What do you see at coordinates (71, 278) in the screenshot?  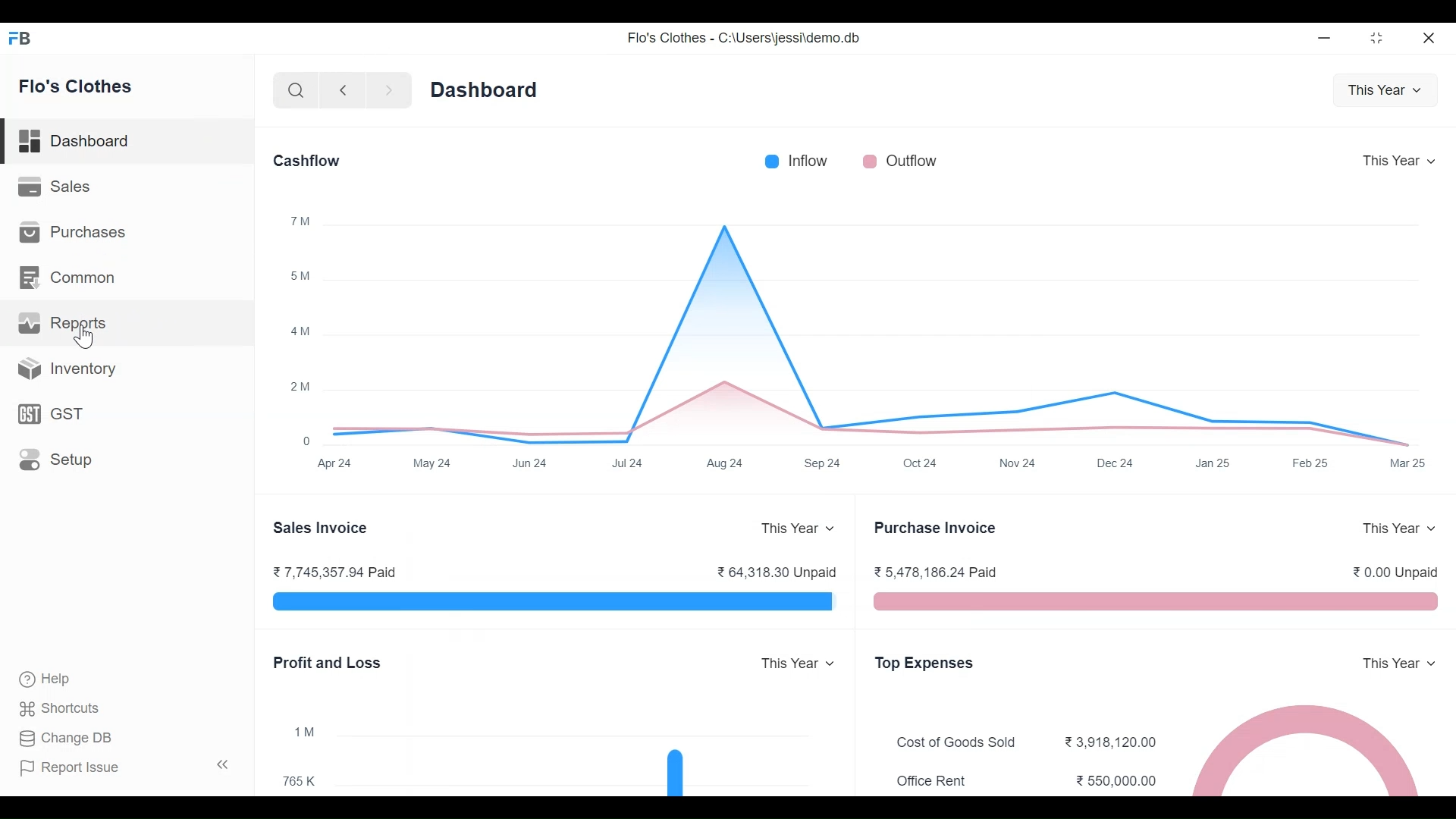 I see `common` at bounding box center [71, 278].